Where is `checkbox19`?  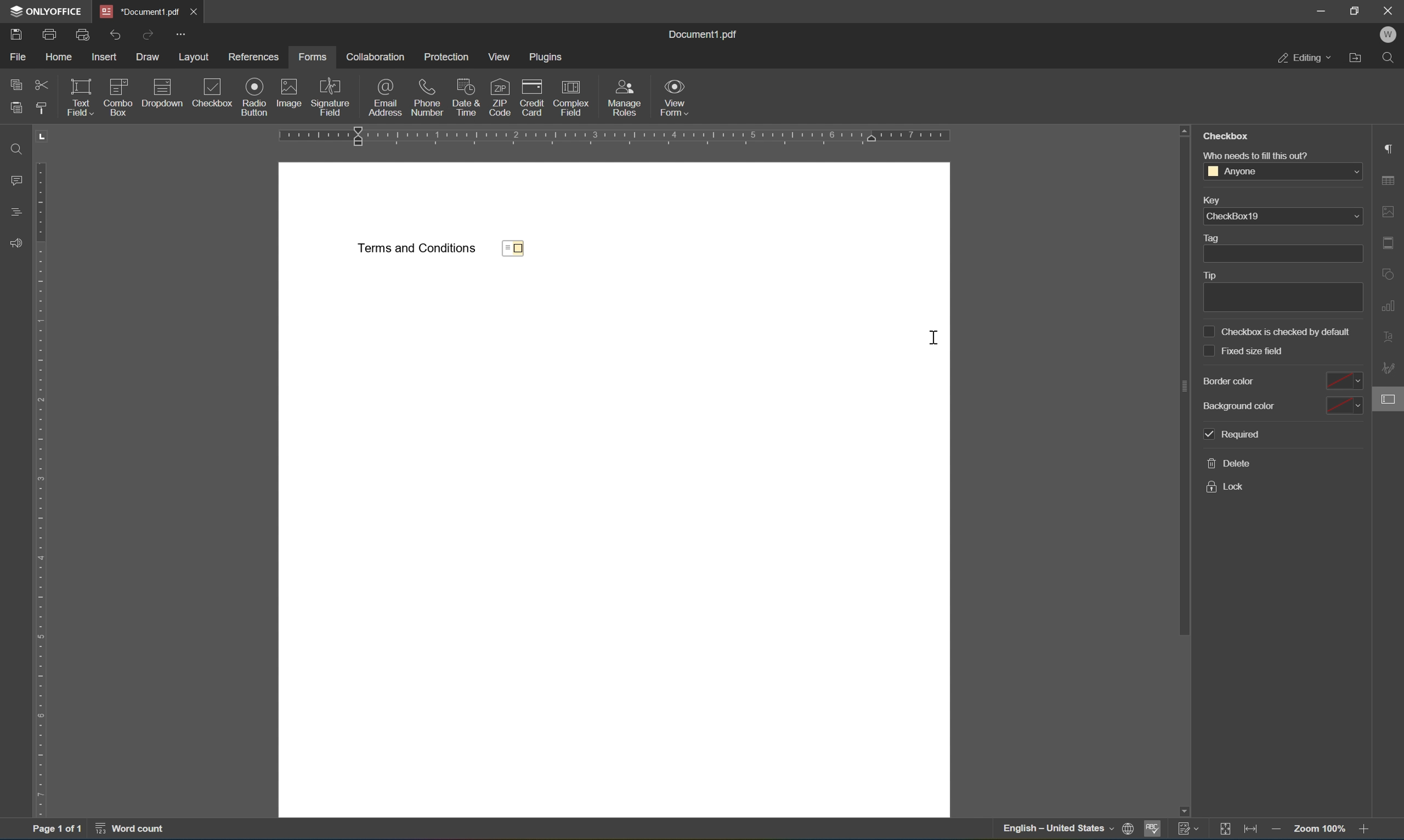 checkbox19 is located at coordinates (1233, 217).